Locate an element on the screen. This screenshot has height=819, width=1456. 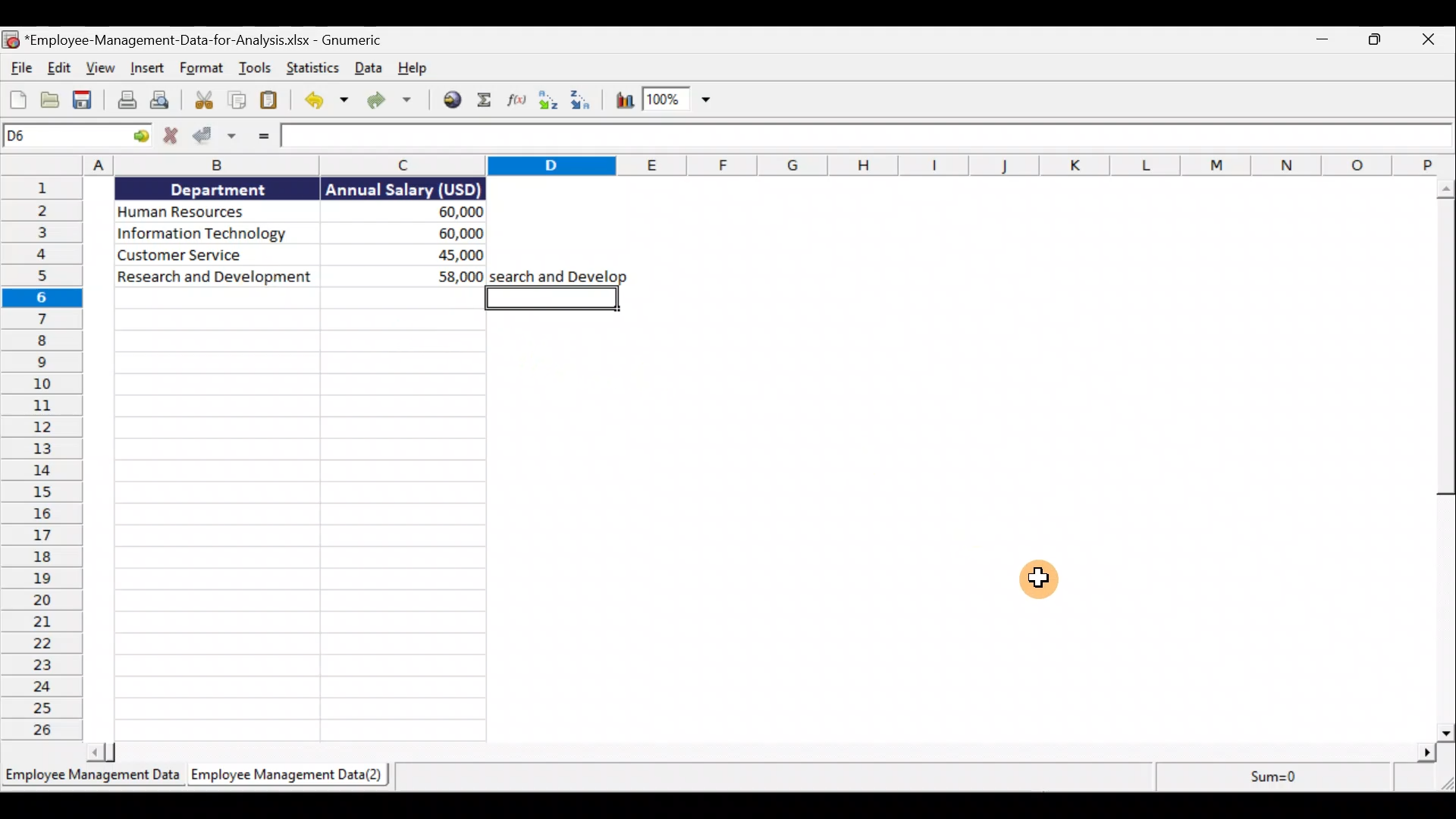
Sort descending is located at coordinates (588, 103).